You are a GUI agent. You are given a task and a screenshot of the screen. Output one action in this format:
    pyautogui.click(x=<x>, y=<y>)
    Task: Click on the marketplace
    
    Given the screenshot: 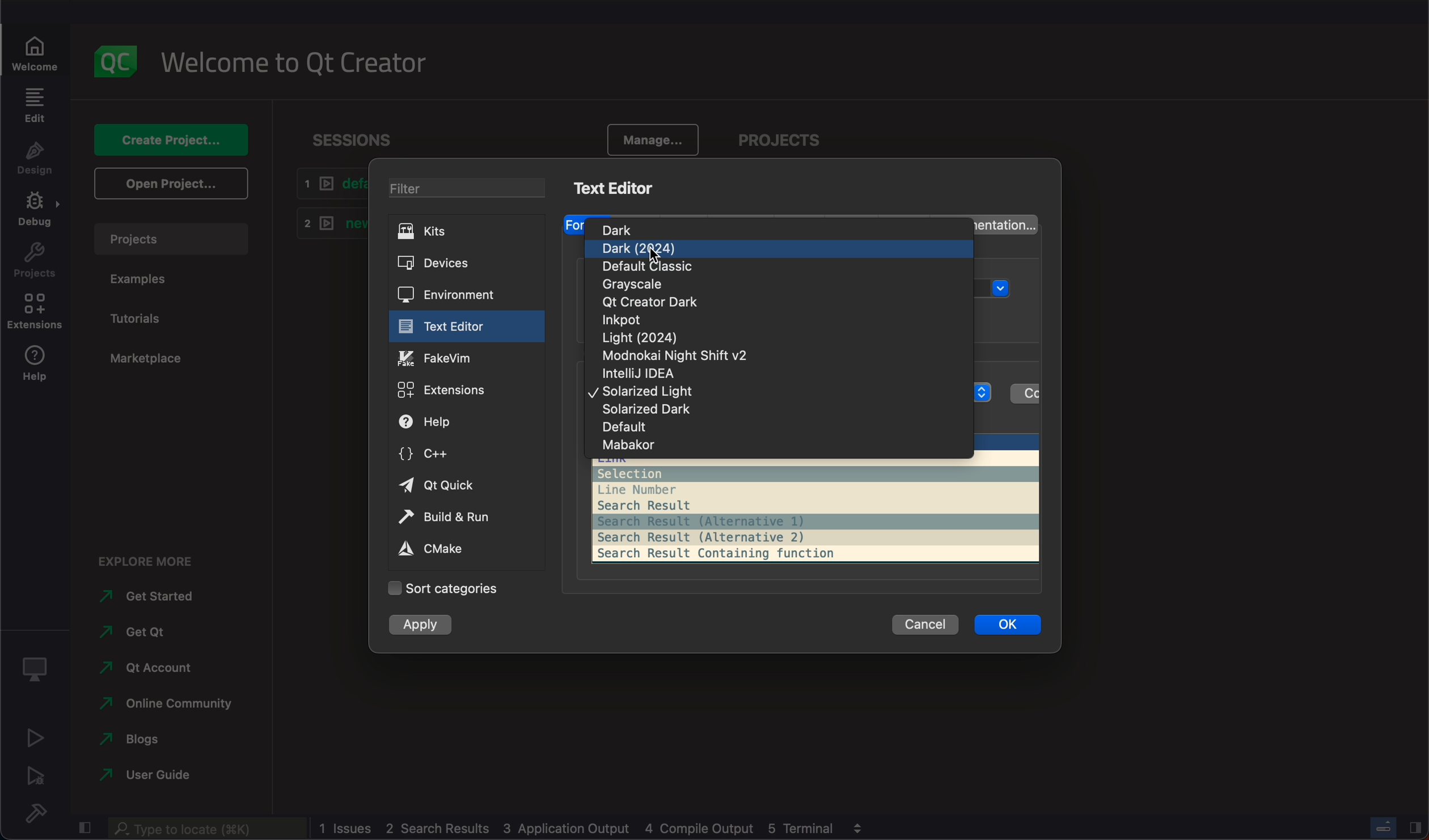 What is the action you would take?
    pyautogui.click(x=146, y=360)
    